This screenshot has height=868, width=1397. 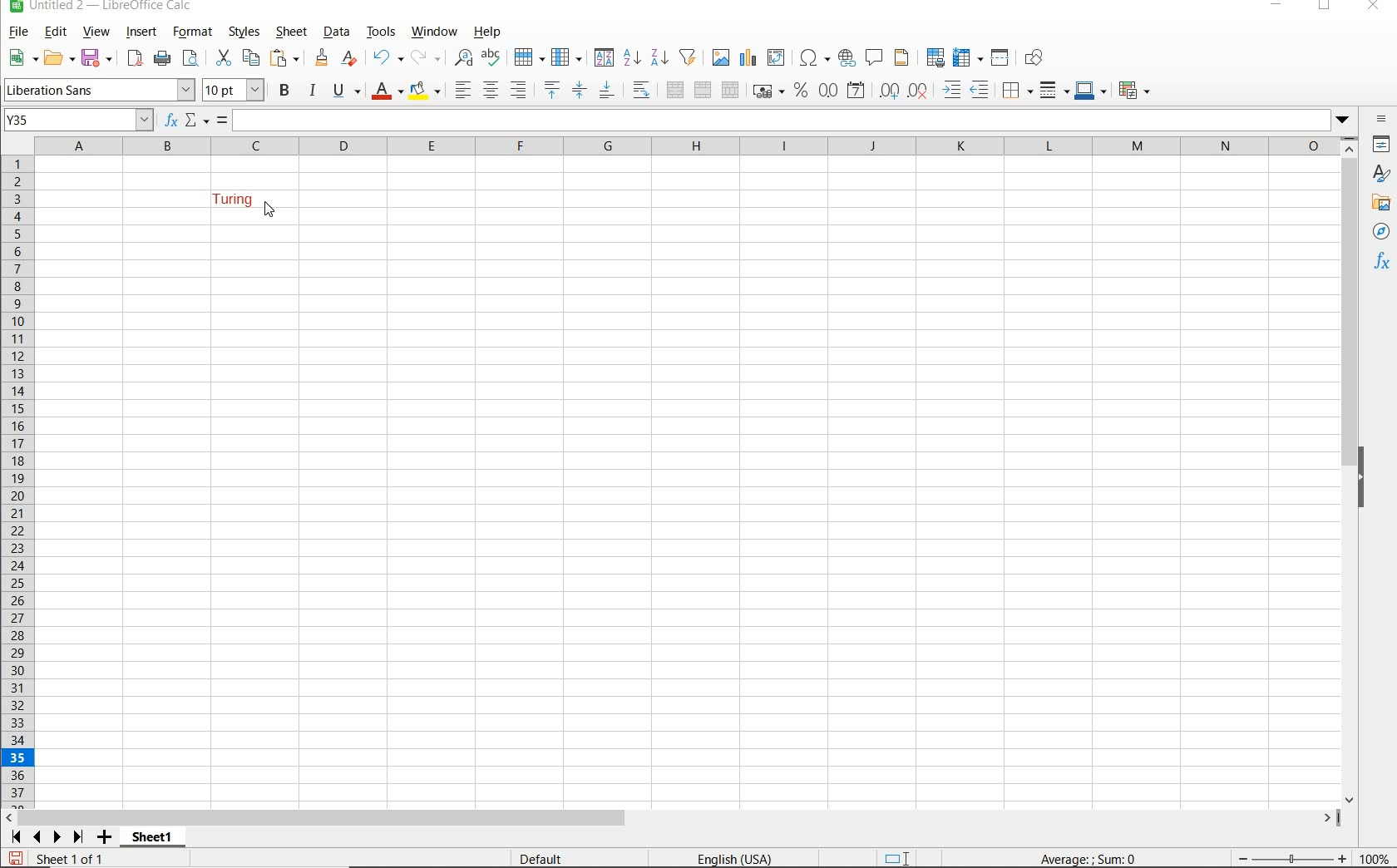 I want to click on FORMAT, so click(x=194, y=32).